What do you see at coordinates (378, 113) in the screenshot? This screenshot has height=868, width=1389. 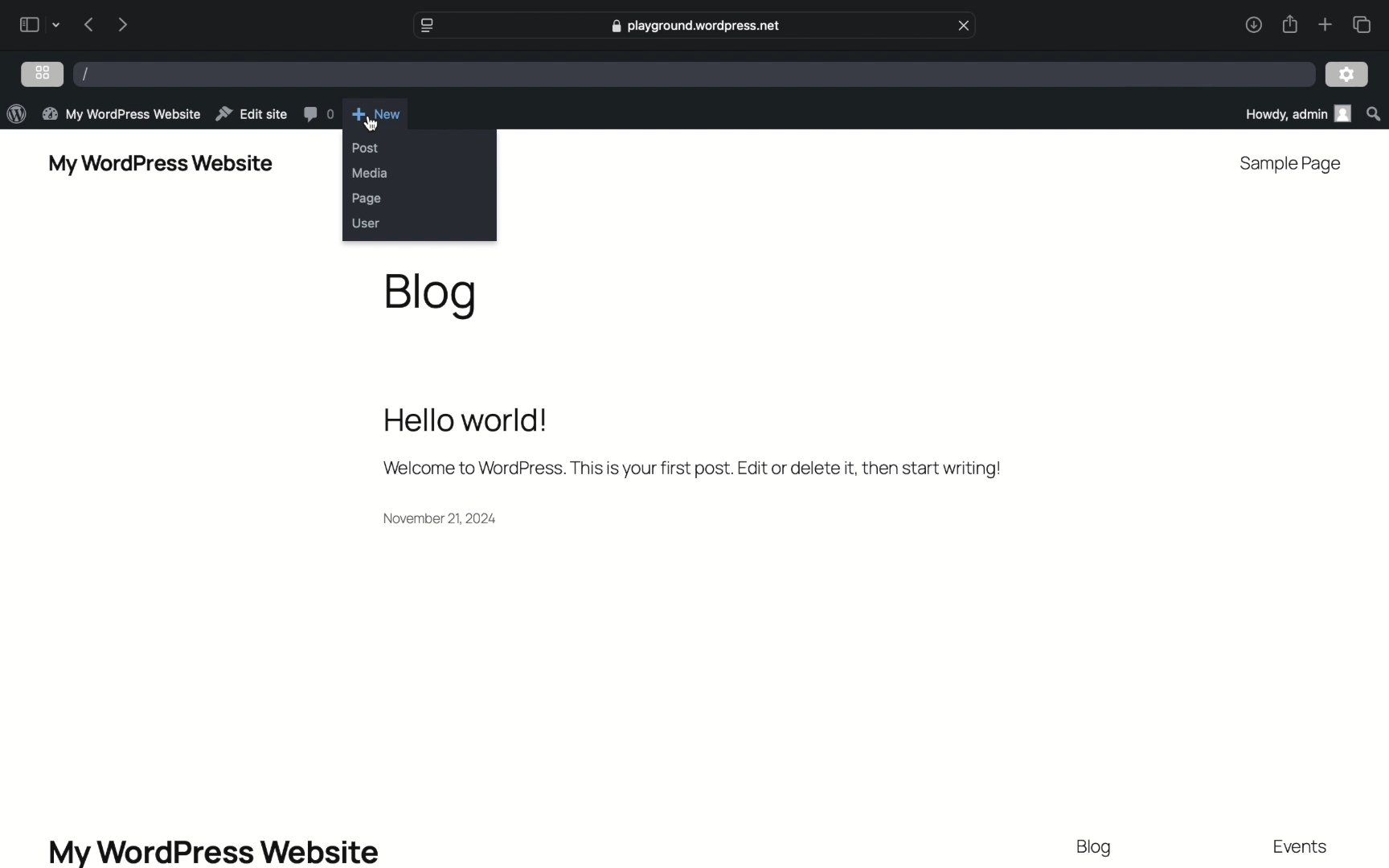 I see `new` at bounding box center [378, 113].